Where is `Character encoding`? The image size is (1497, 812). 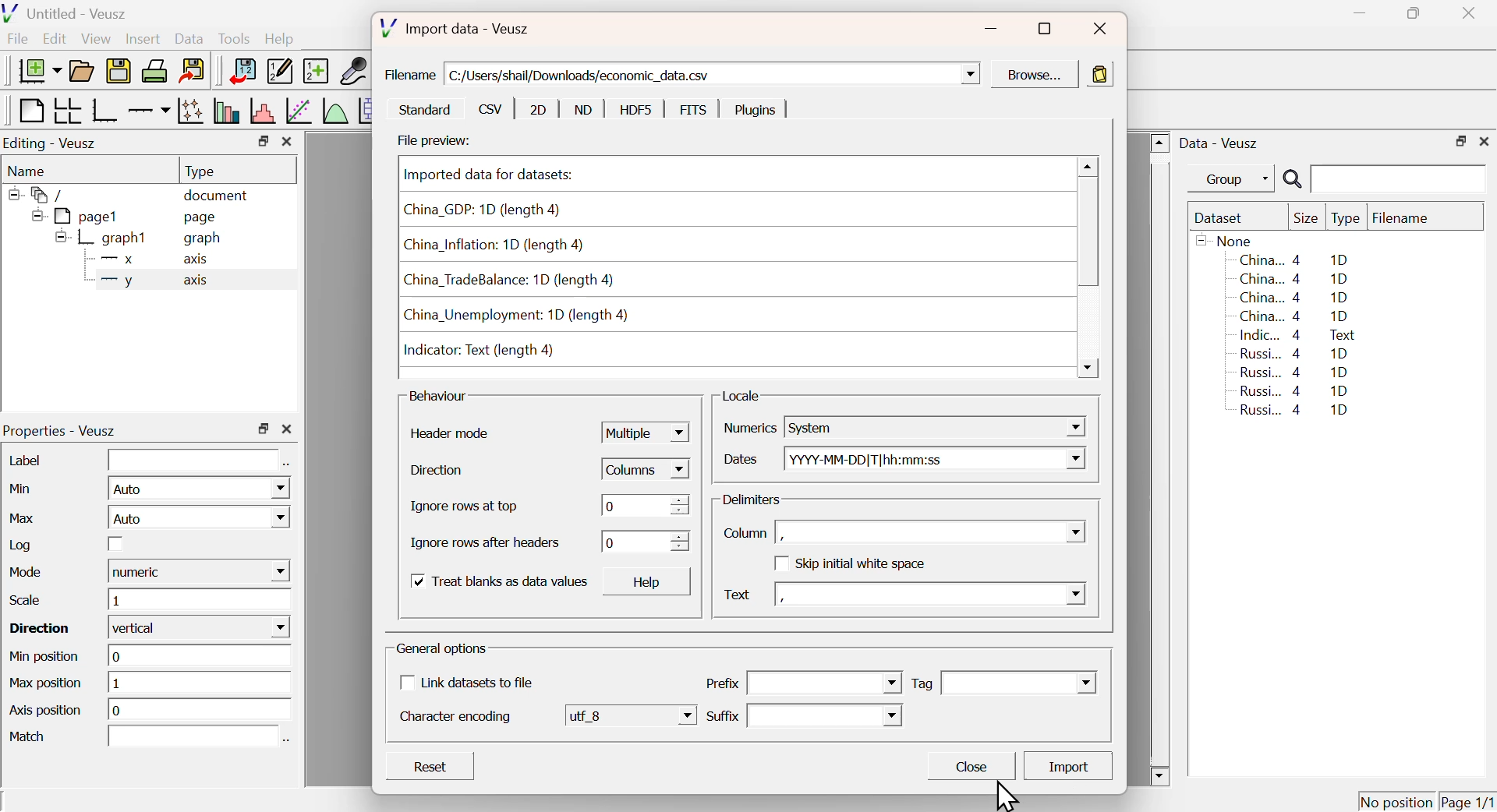 Character encoding is located at coordinates (457, 717).